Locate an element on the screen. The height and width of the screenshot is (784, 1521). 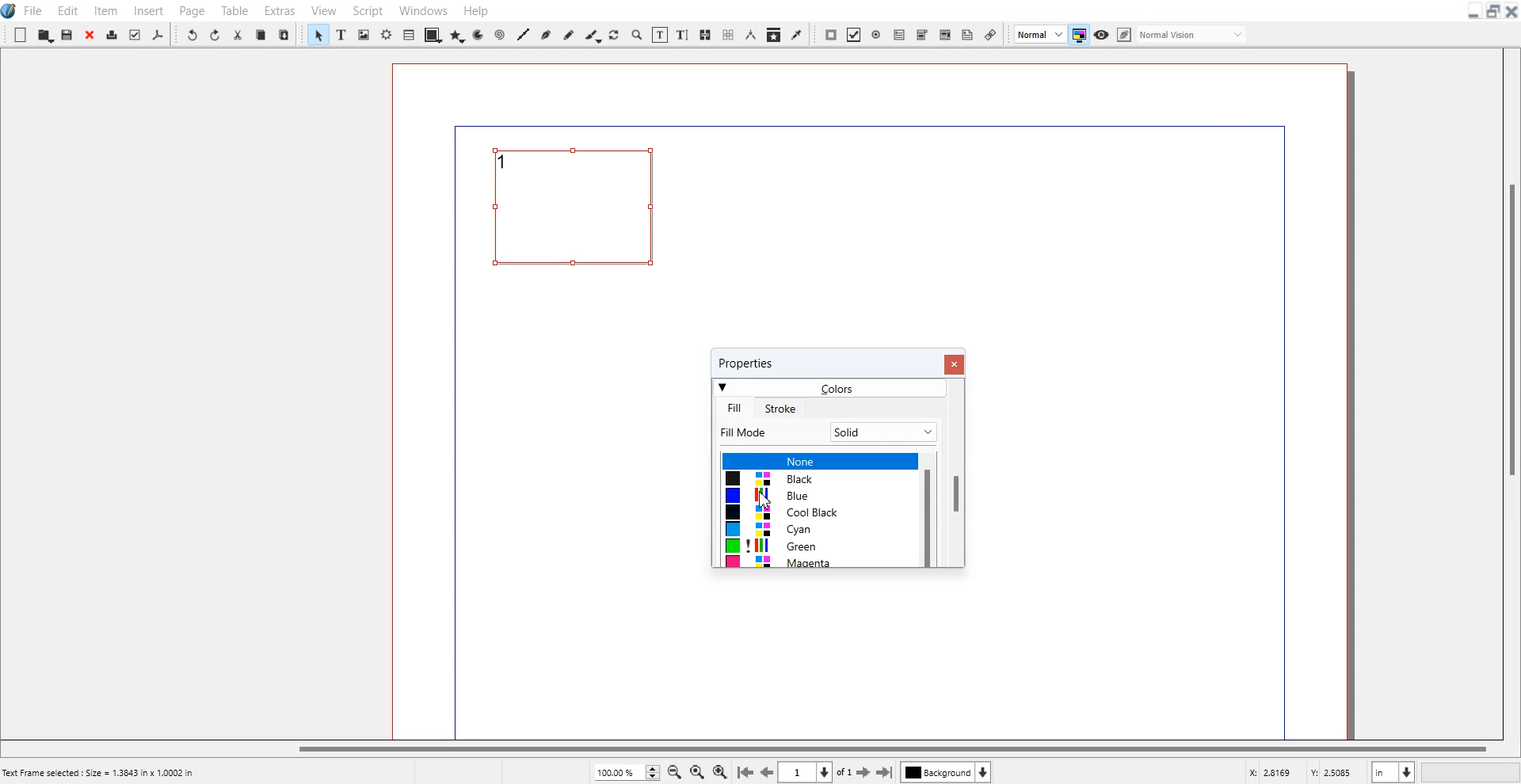
PDF Push Button is located at coordinates (830, 35).